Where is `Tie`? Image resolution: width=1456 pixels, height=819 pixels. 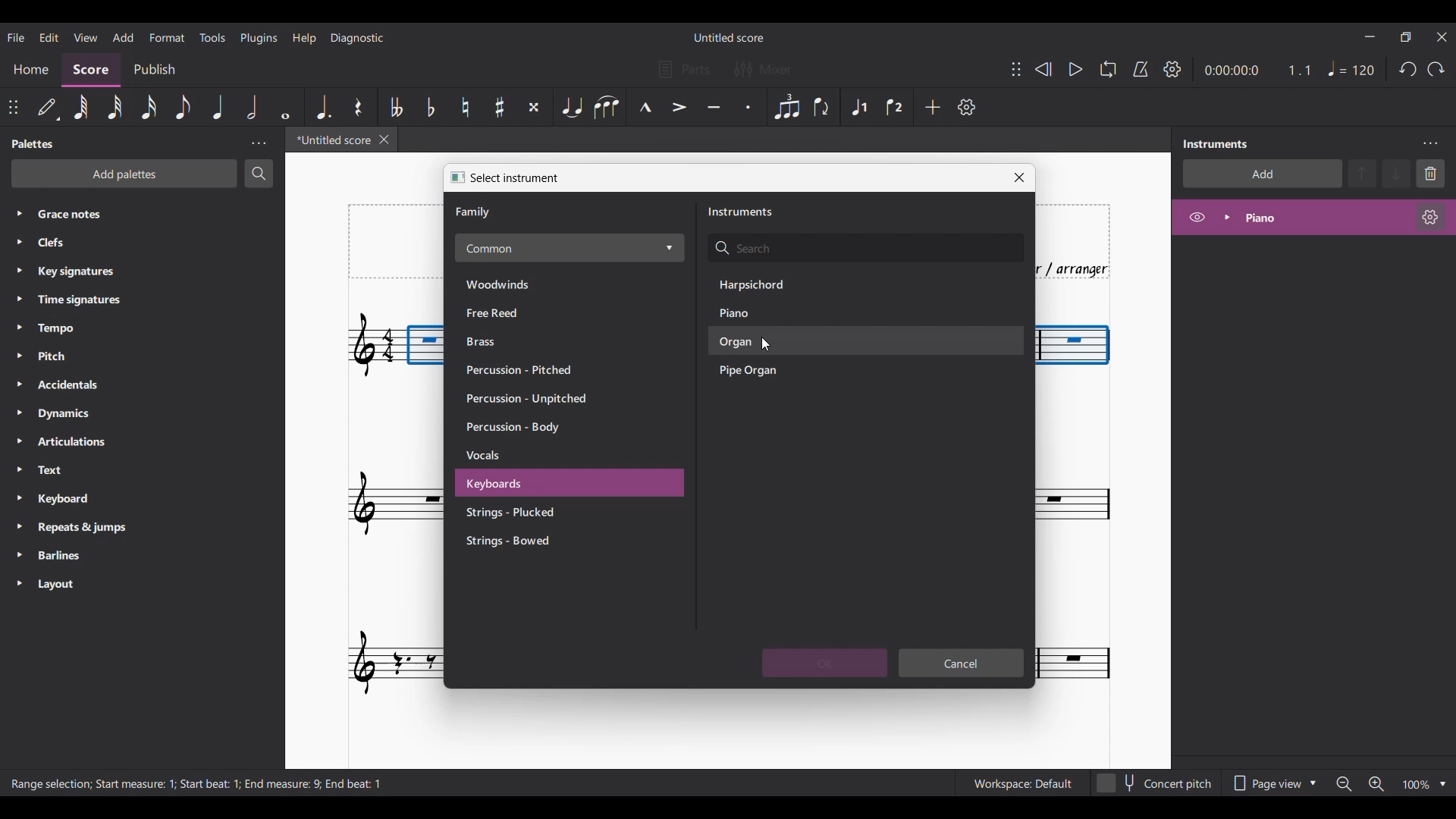 Tie is located at coordinates (571, 106).